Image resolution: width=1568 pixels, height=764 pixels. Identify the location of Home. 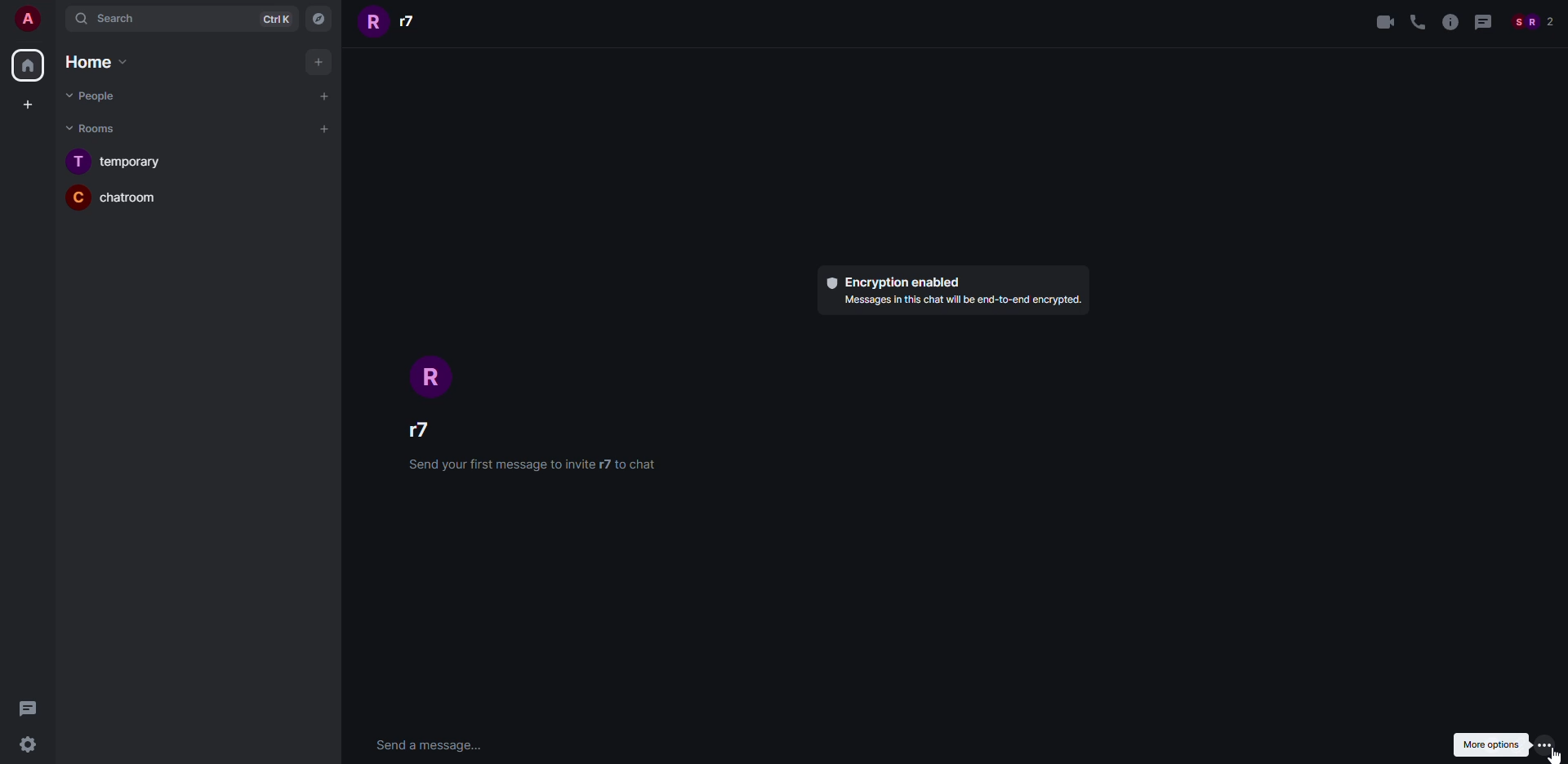
(91, 61).